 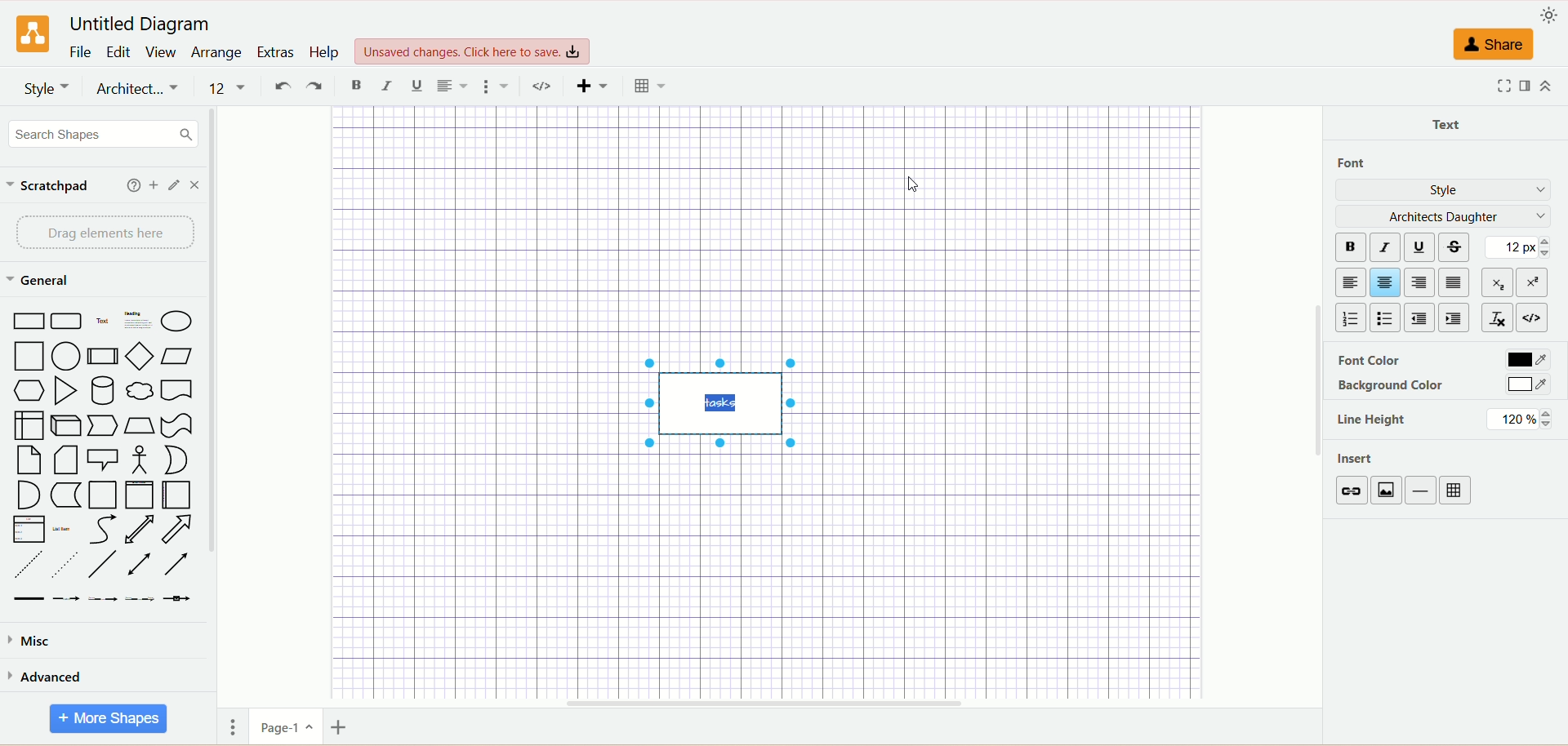 I want to click on color, so click(x=1525, y=358).